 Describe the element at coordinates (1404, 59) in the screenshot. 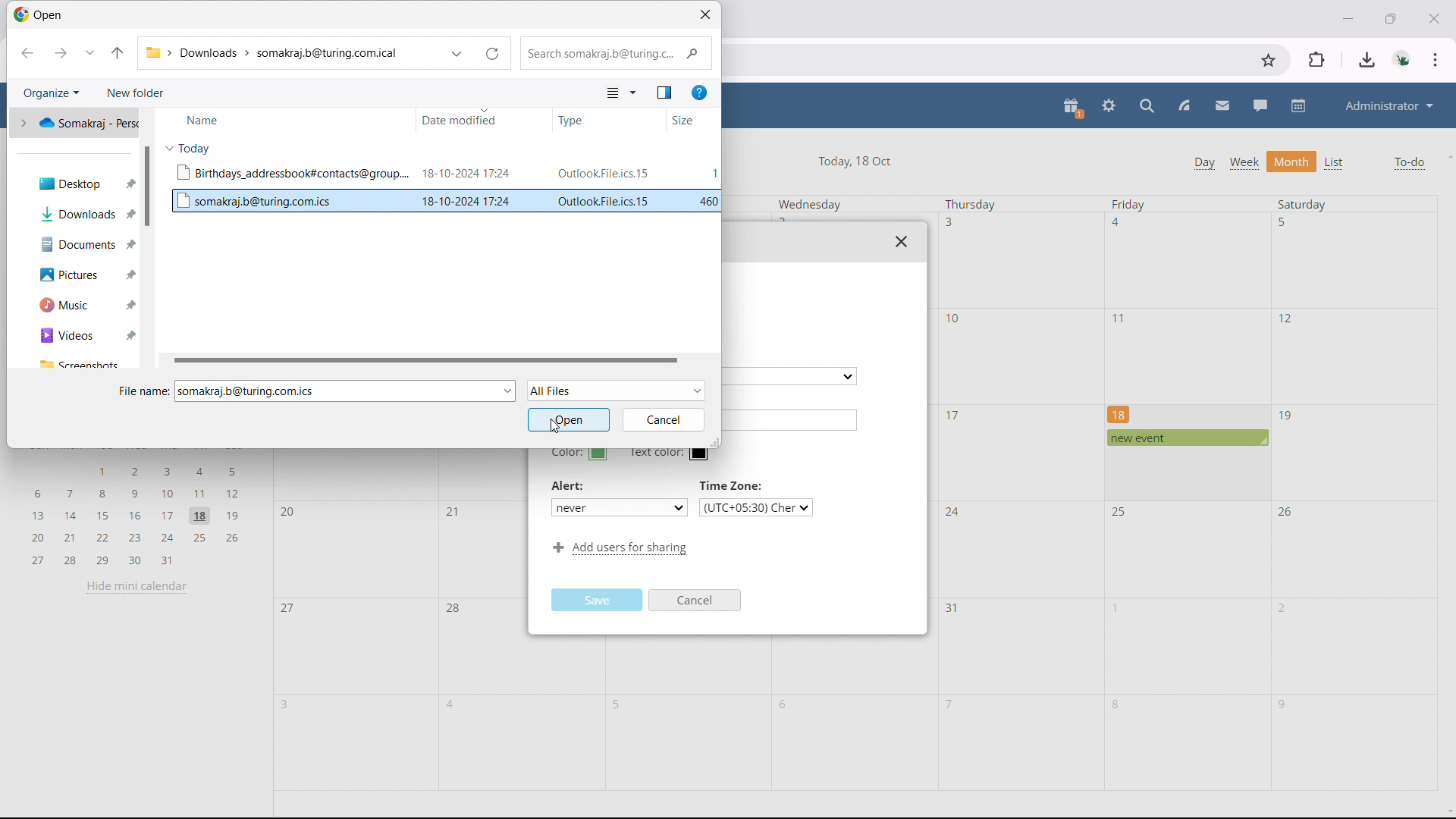

I see `accounts` at that location.